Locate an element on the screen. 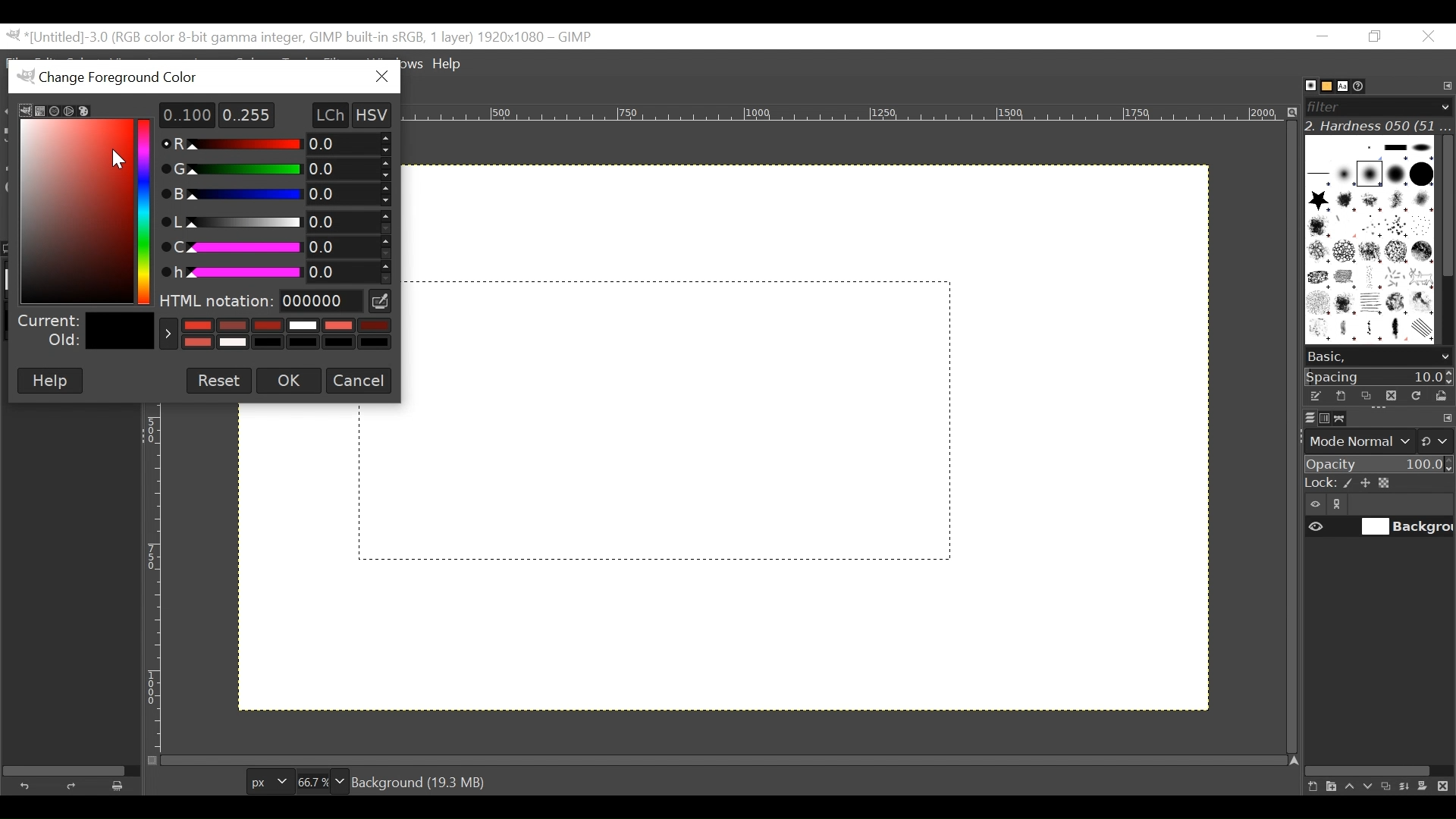 Image resolution: width=1456 pixels, height=819 pixels. link/unlink item is located at coordinates (1341, 507).